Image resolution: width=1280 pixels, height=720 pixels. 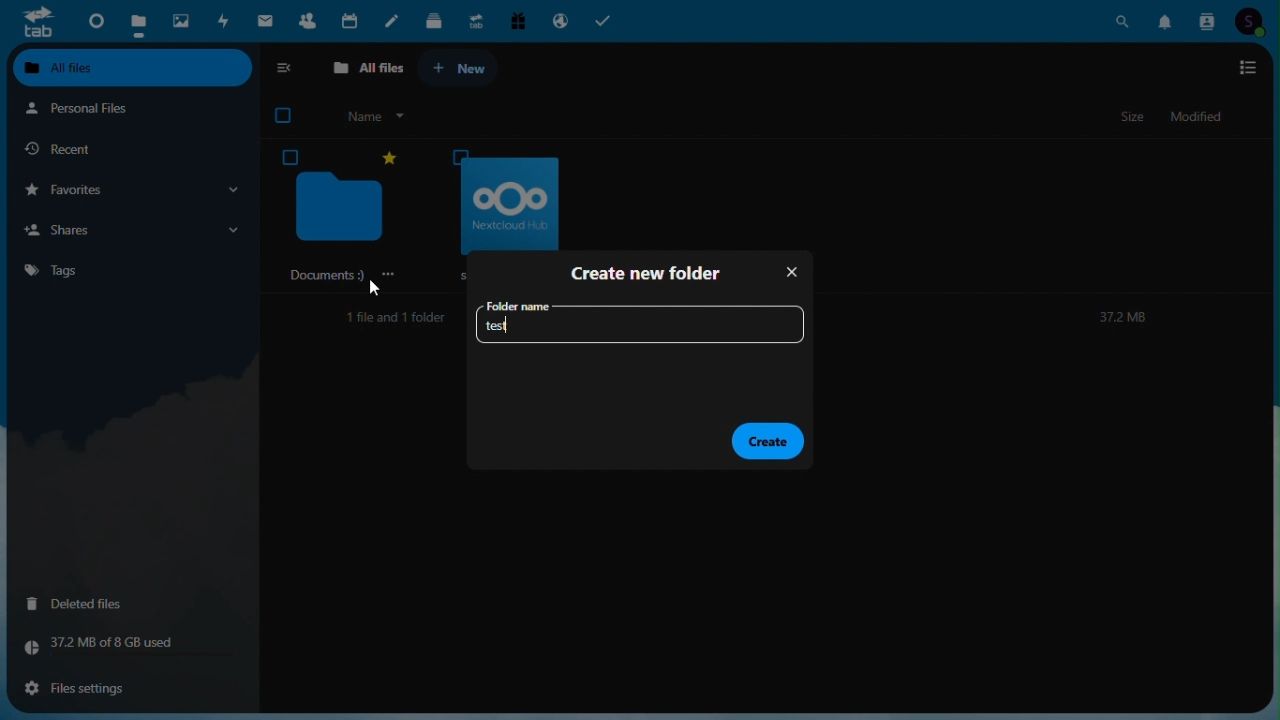 I want to click on Storage, so click(x=126, y=649).